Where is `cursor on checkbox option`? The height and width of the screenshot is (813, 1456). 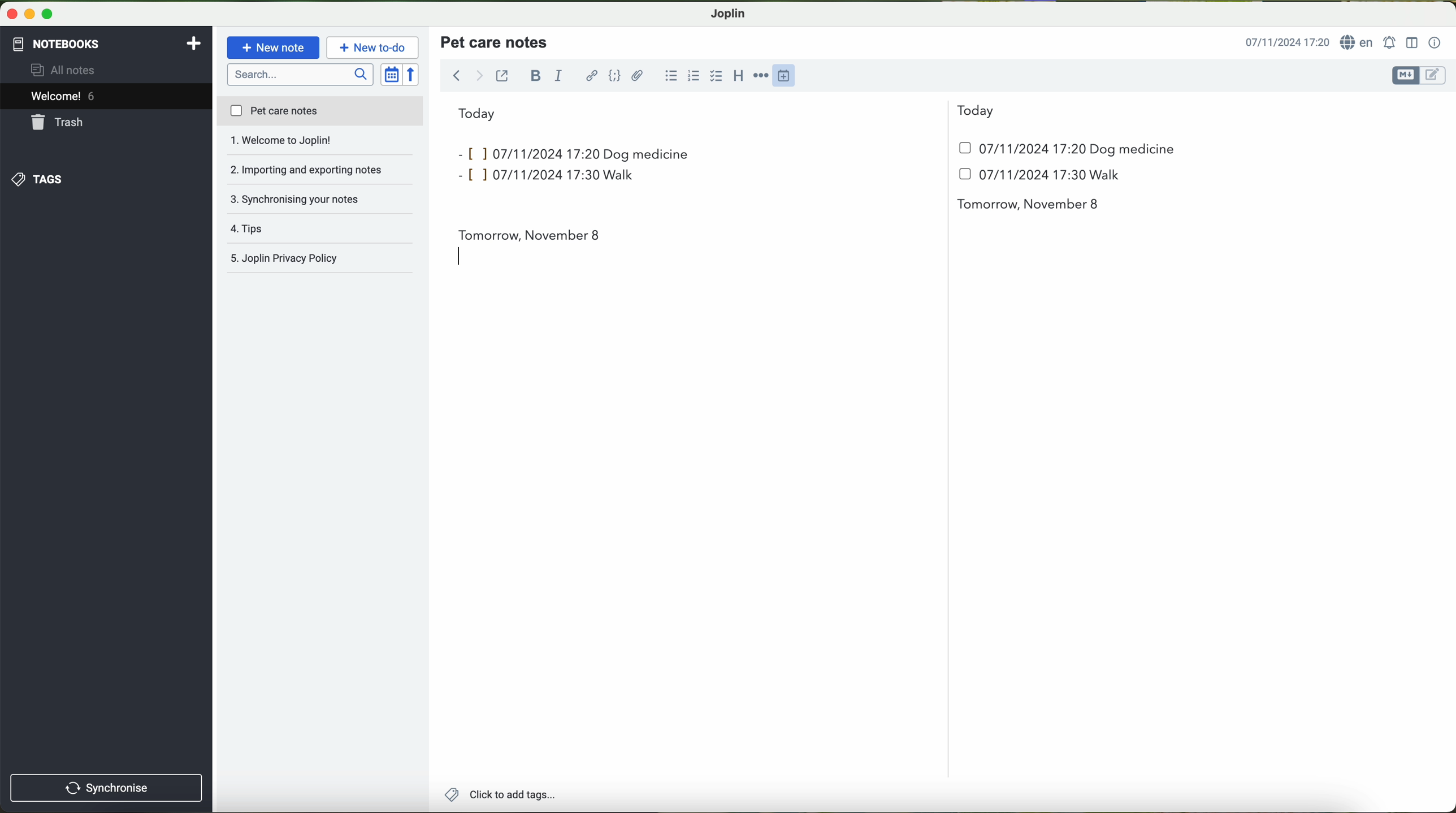 cursor on checkbox option is located at coordinates (718, 76).